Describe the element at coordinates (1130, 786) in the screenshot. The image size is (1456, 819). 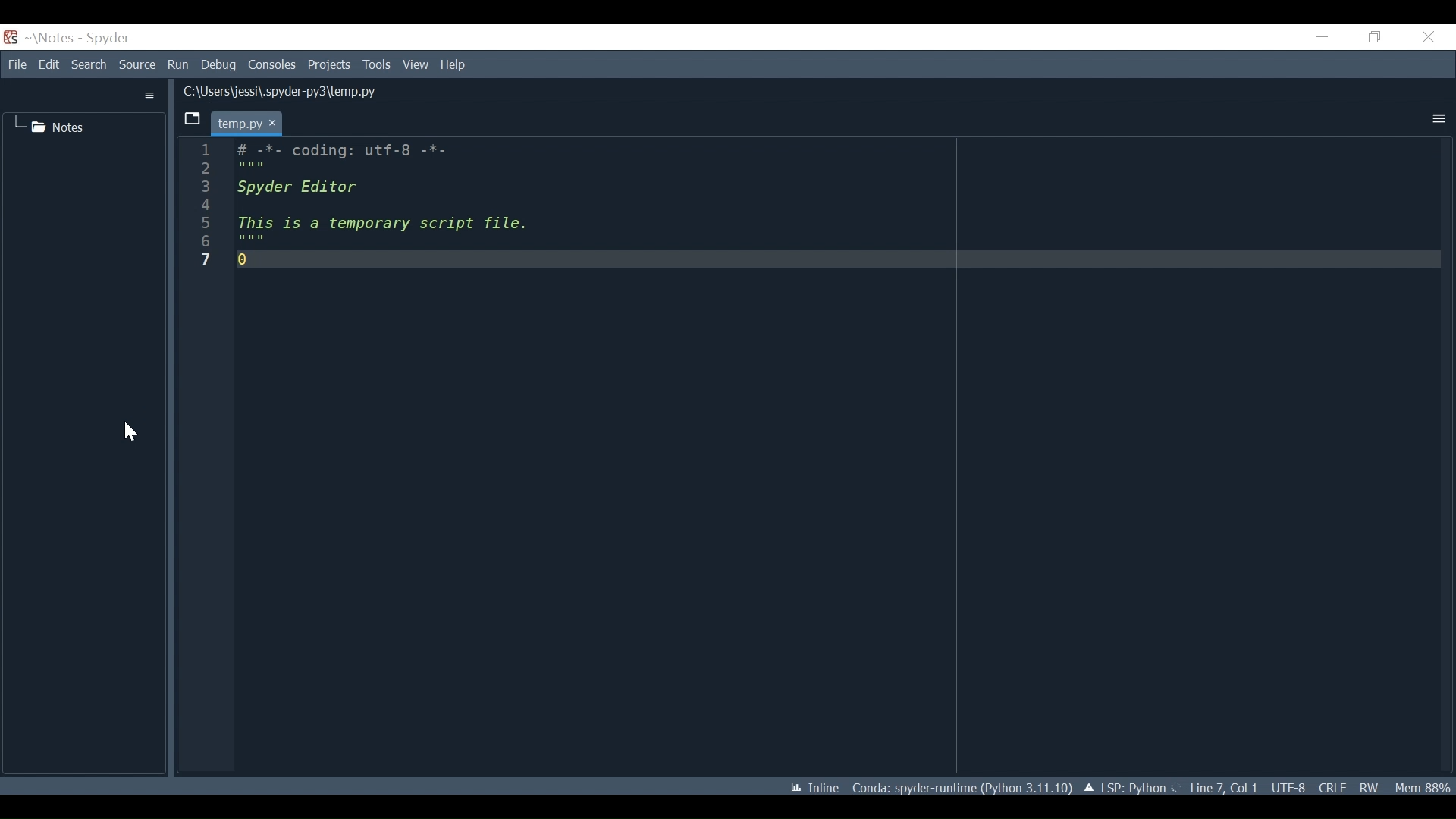
I see `Python lsp info` at that location.